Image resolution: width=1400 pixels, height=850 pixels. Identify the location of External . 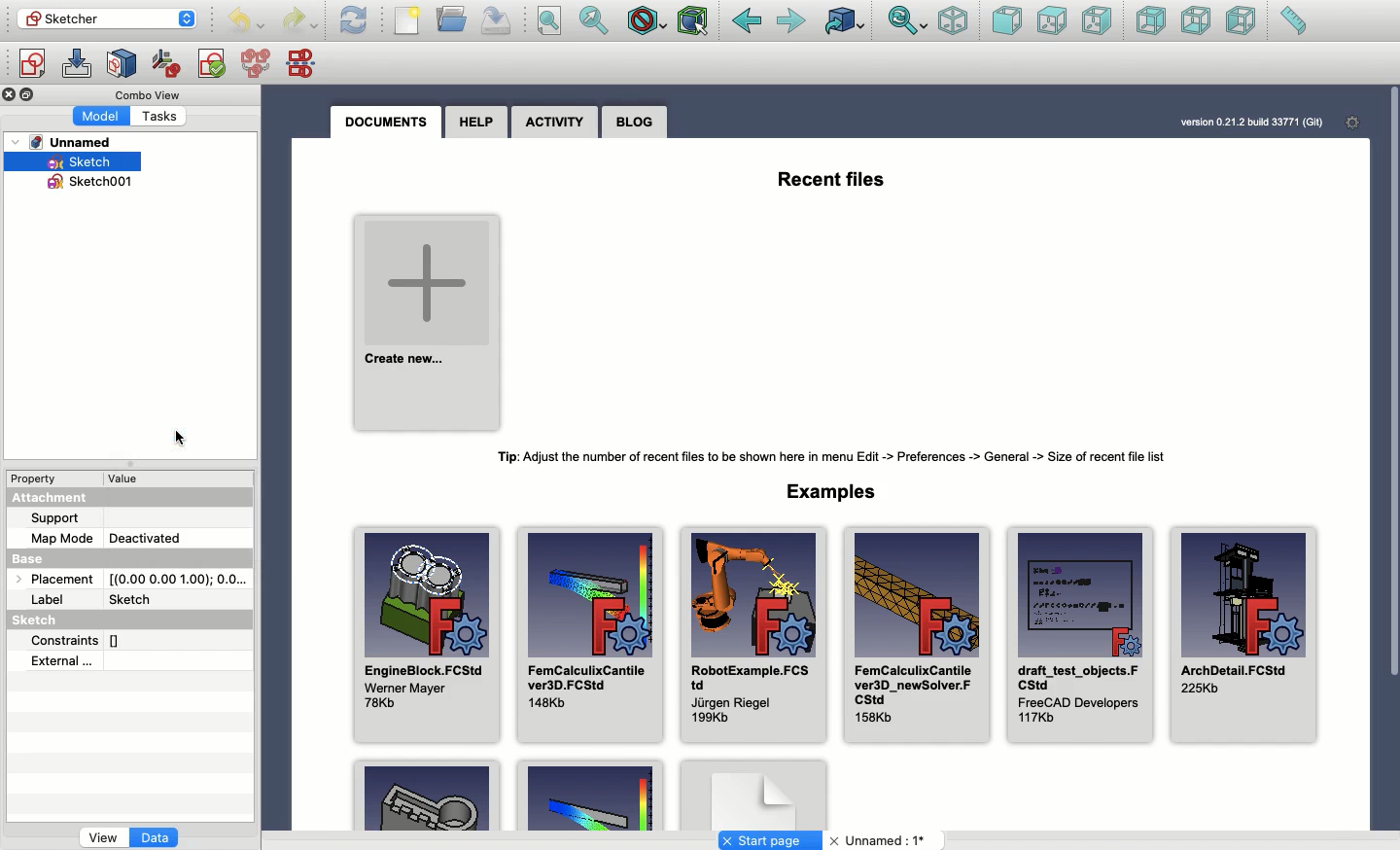
(63, 660).